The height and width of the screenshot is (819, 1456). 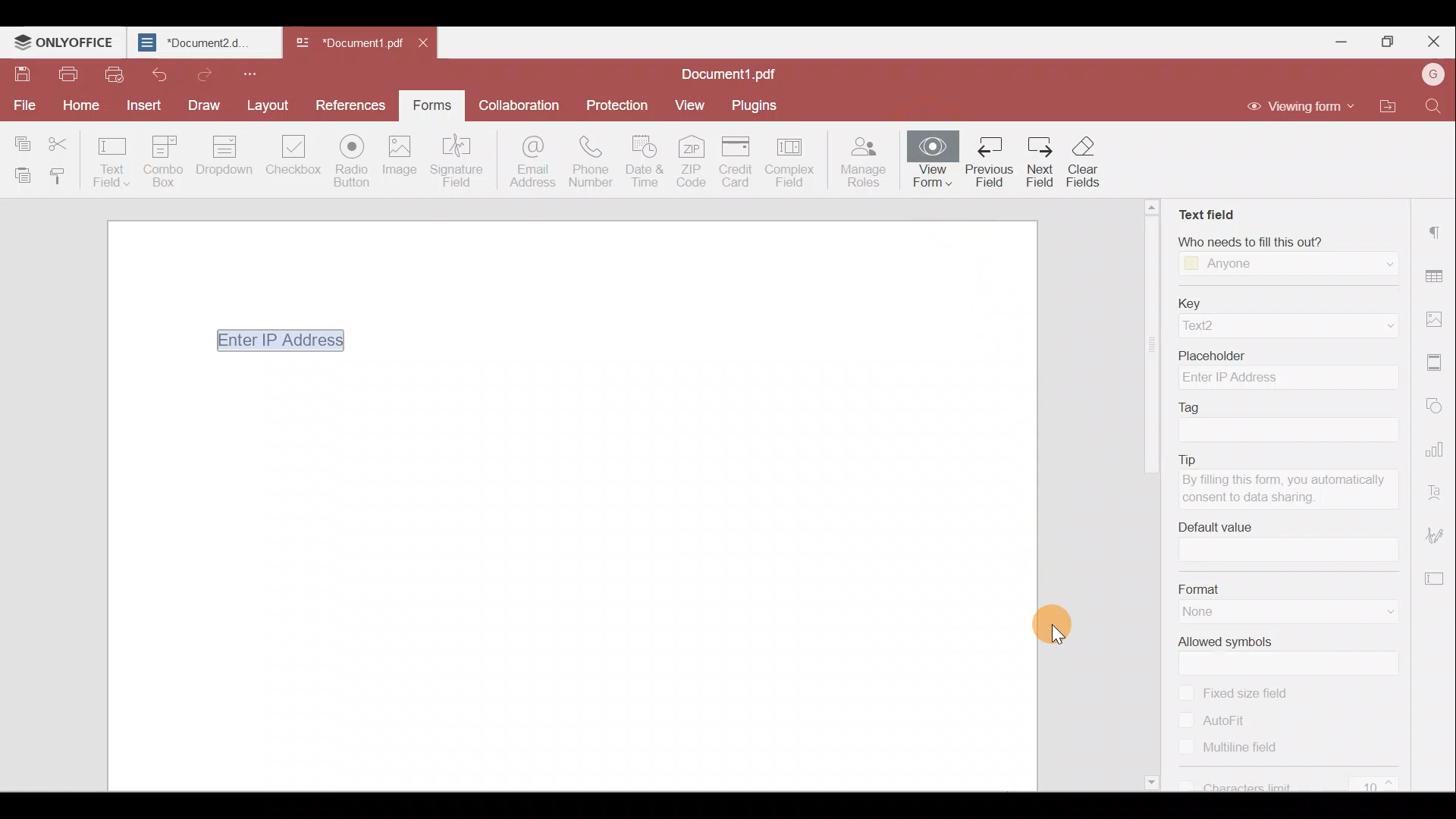 I want to click on Working area, so click(x=570, y=577).